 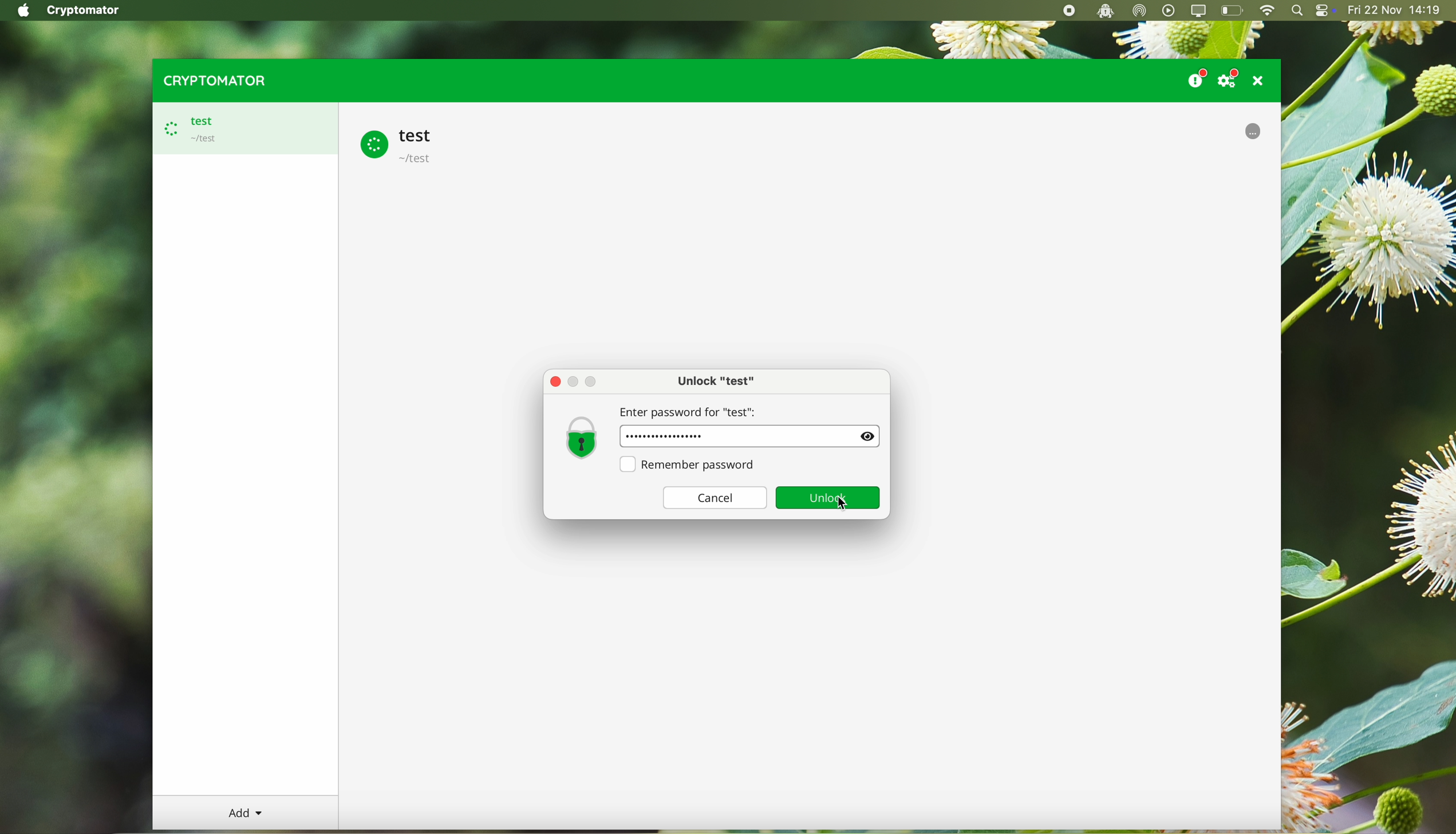 What do you see at coordinates (1169, 10) in the screenshot?
I see `play` at bounding box center [1169, 10].